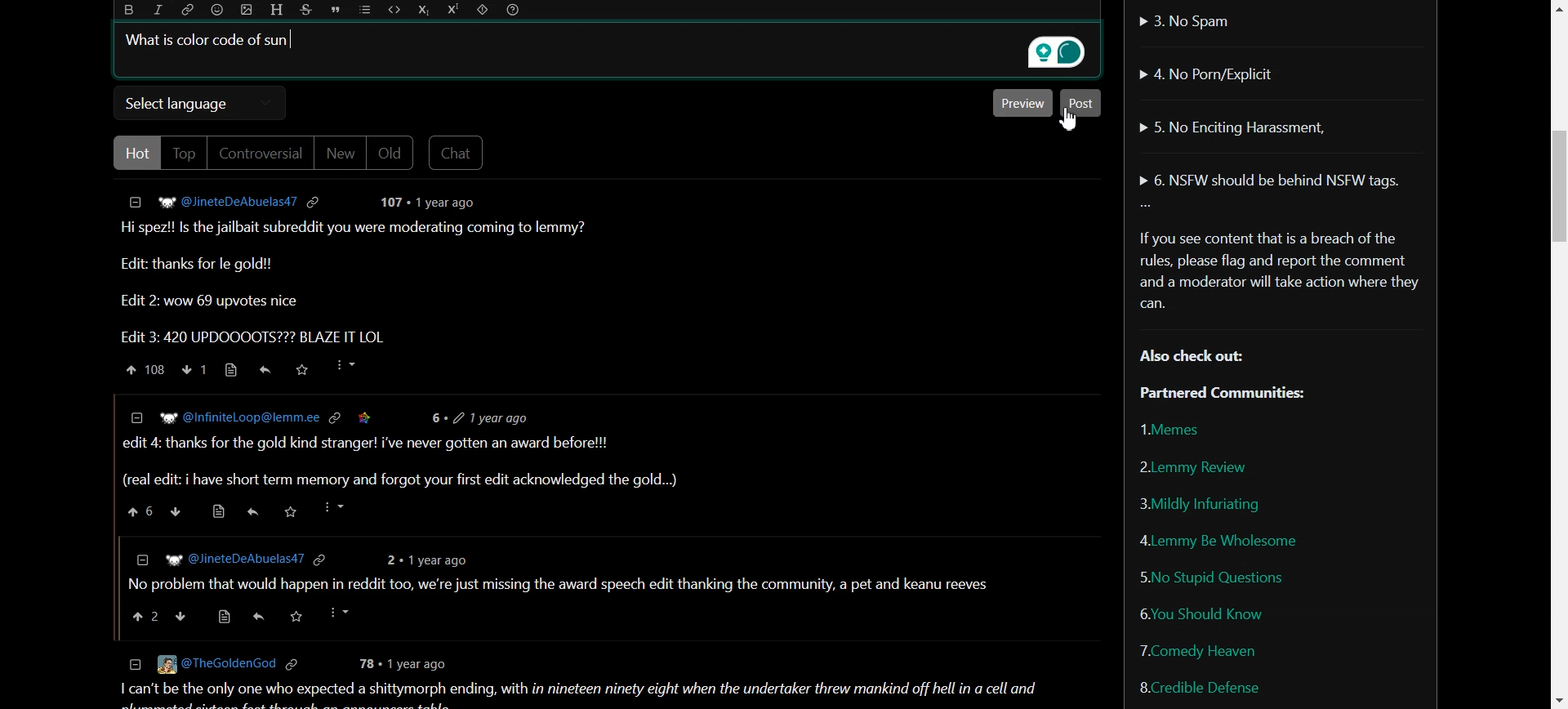 This screenshot has width=1568, height=709. What do you see at coordinates (1218, 505) in the screenshot?
I see `Mildly Infuriating` at bounding box center [1218, 505].